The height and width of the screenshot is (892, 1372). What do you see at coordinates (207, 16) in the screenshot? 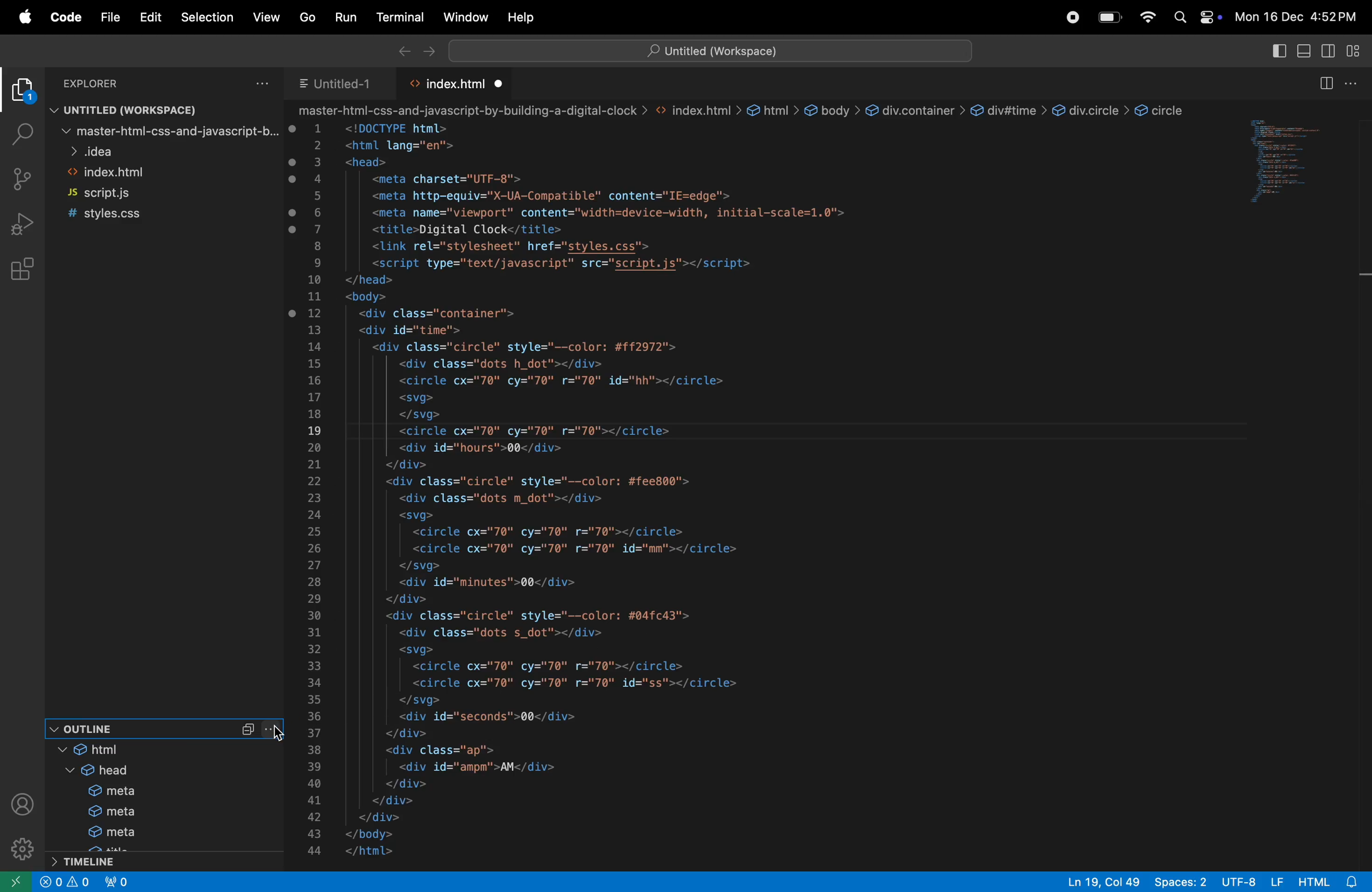
I see `selection` at bounding box center [207, 16].